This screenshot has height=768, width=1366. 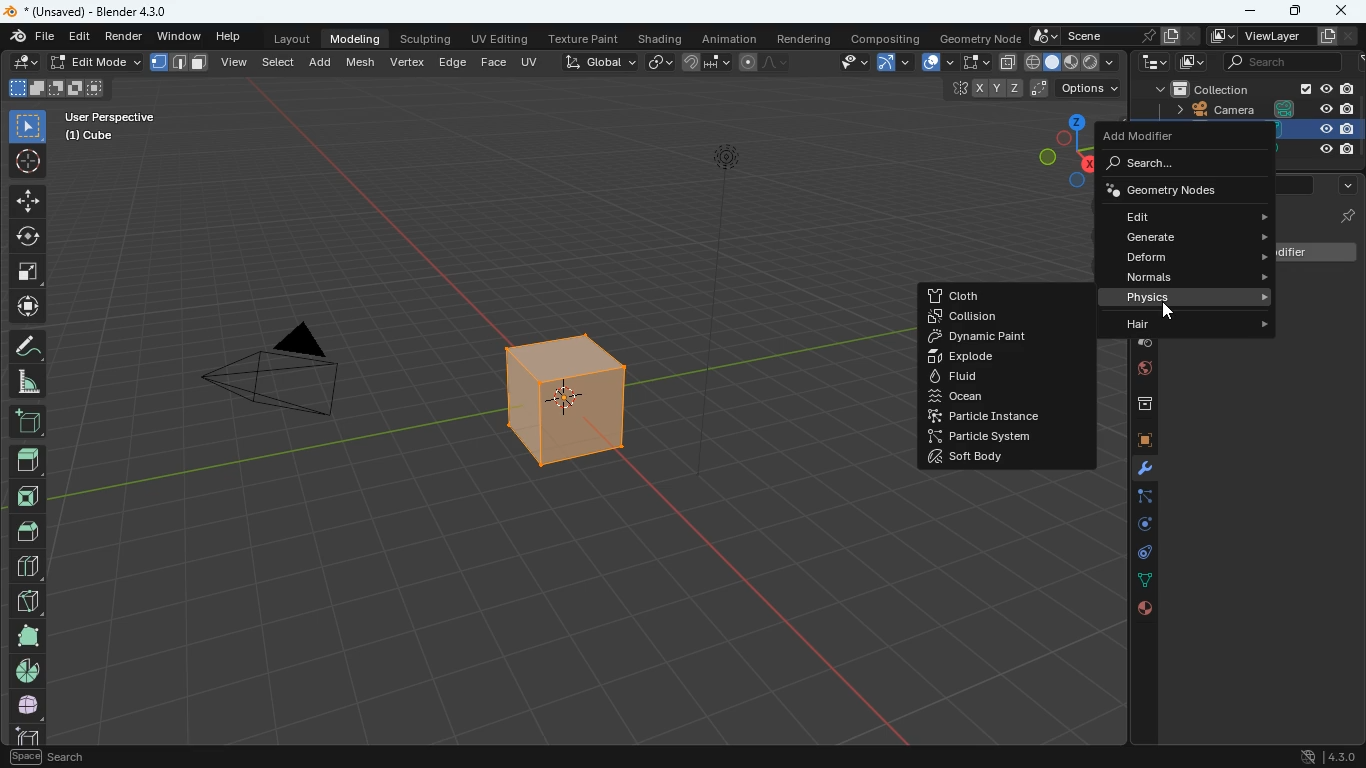 What do you see at coordinates (26, 423) in the screenshot?
I see `add` at bounding box center [26, 423].